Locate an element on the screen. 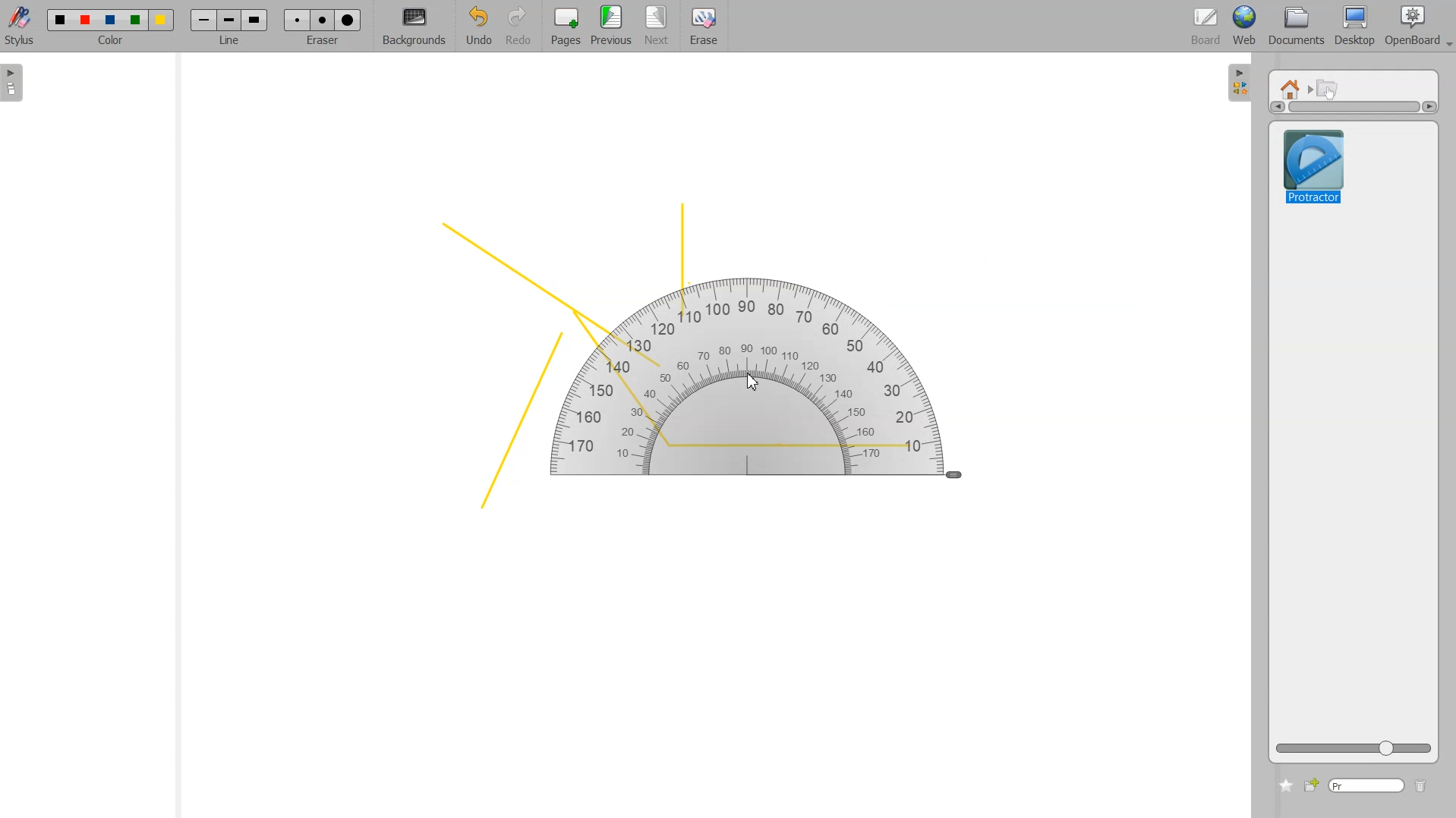 Image resolution: width=1456 pixels, height=818 pixels. Background is located at coordinates (414, 27).